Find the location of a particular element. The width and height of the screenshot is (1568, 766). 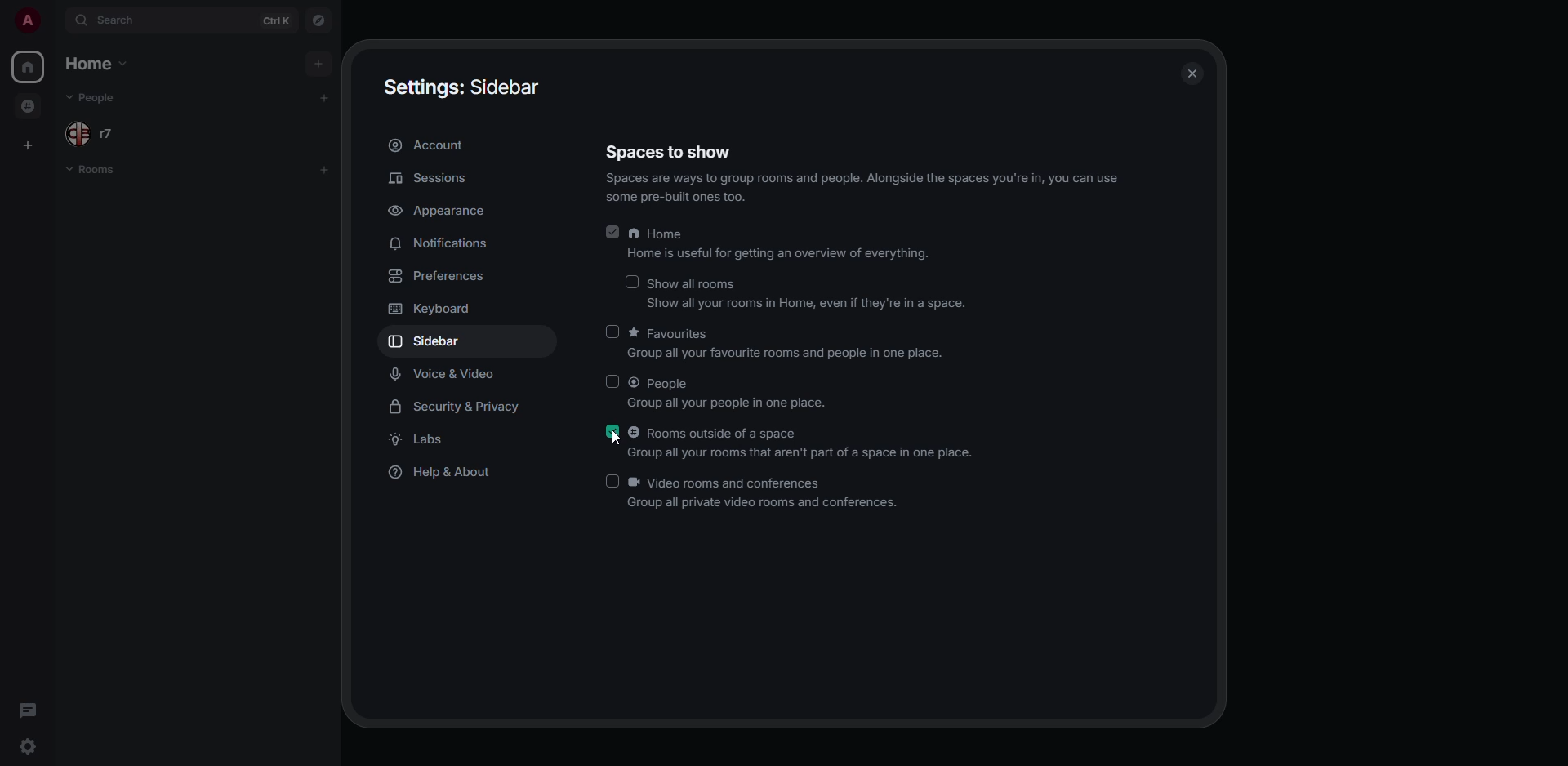

sessions is located at coordinates (434, 176).